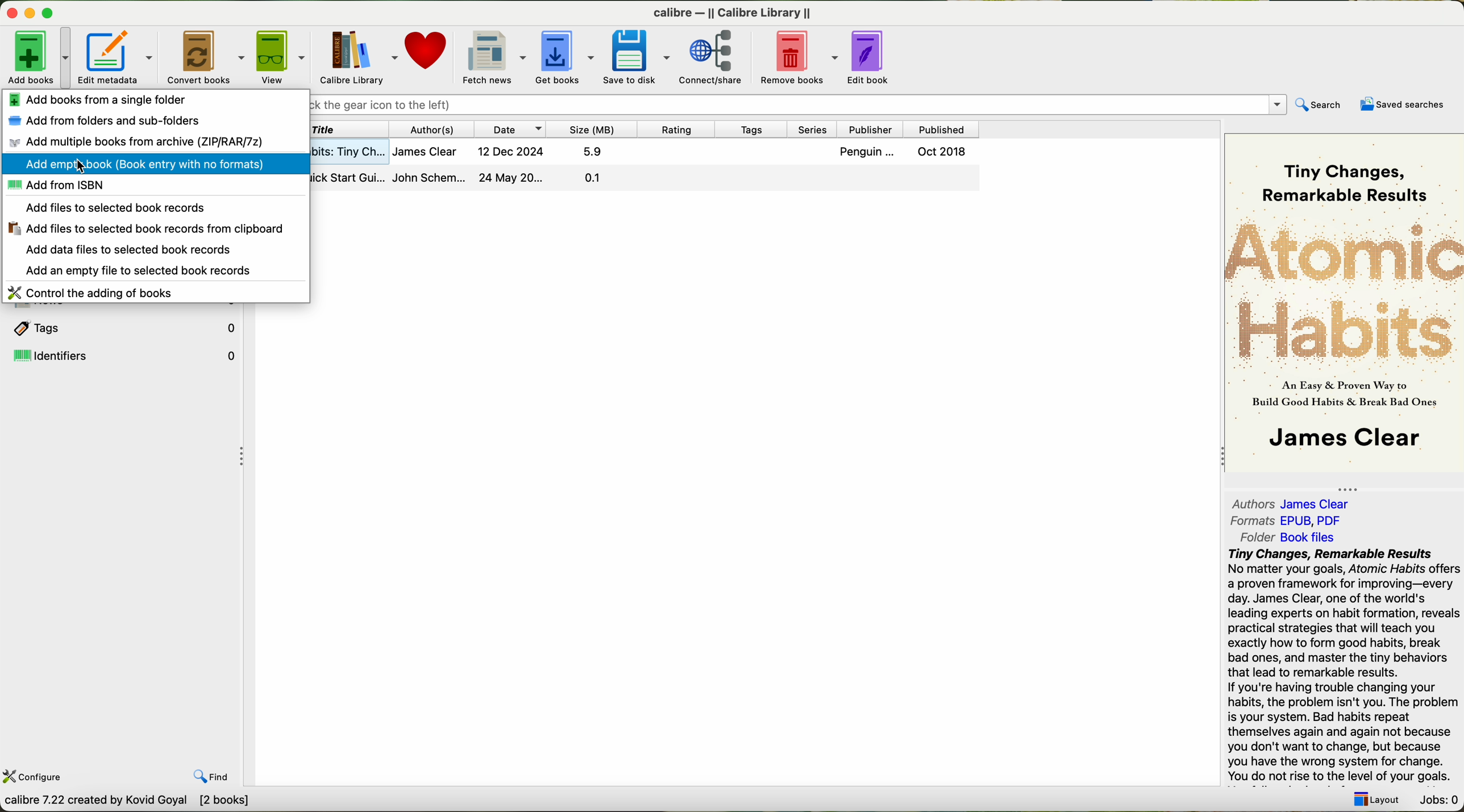 The height and width of the screenshot is (812, 1464). I want to click on add from folders and sub-folders, so click(109, 122).